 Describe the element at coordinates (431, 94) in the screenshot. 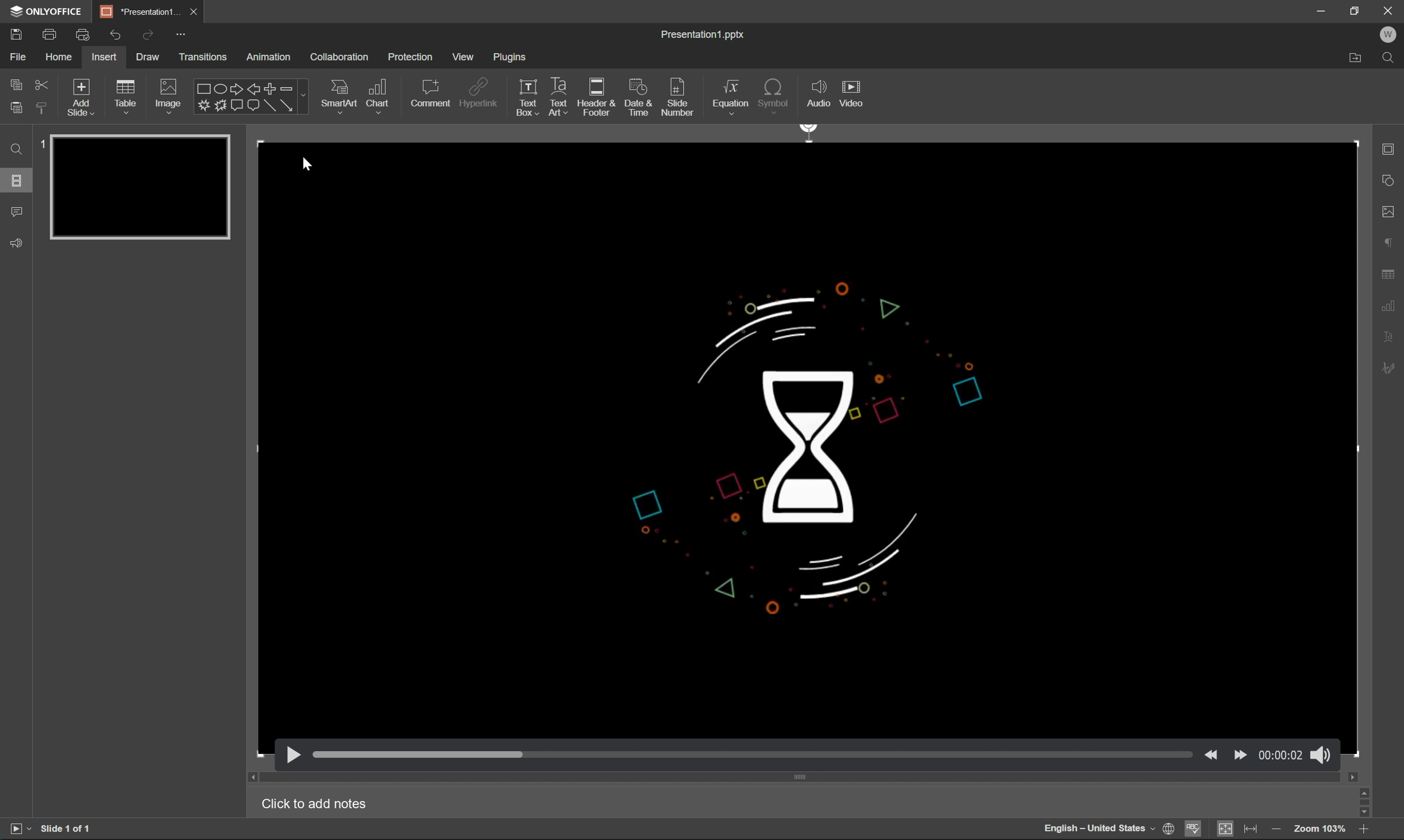

I see `comment` at that location.